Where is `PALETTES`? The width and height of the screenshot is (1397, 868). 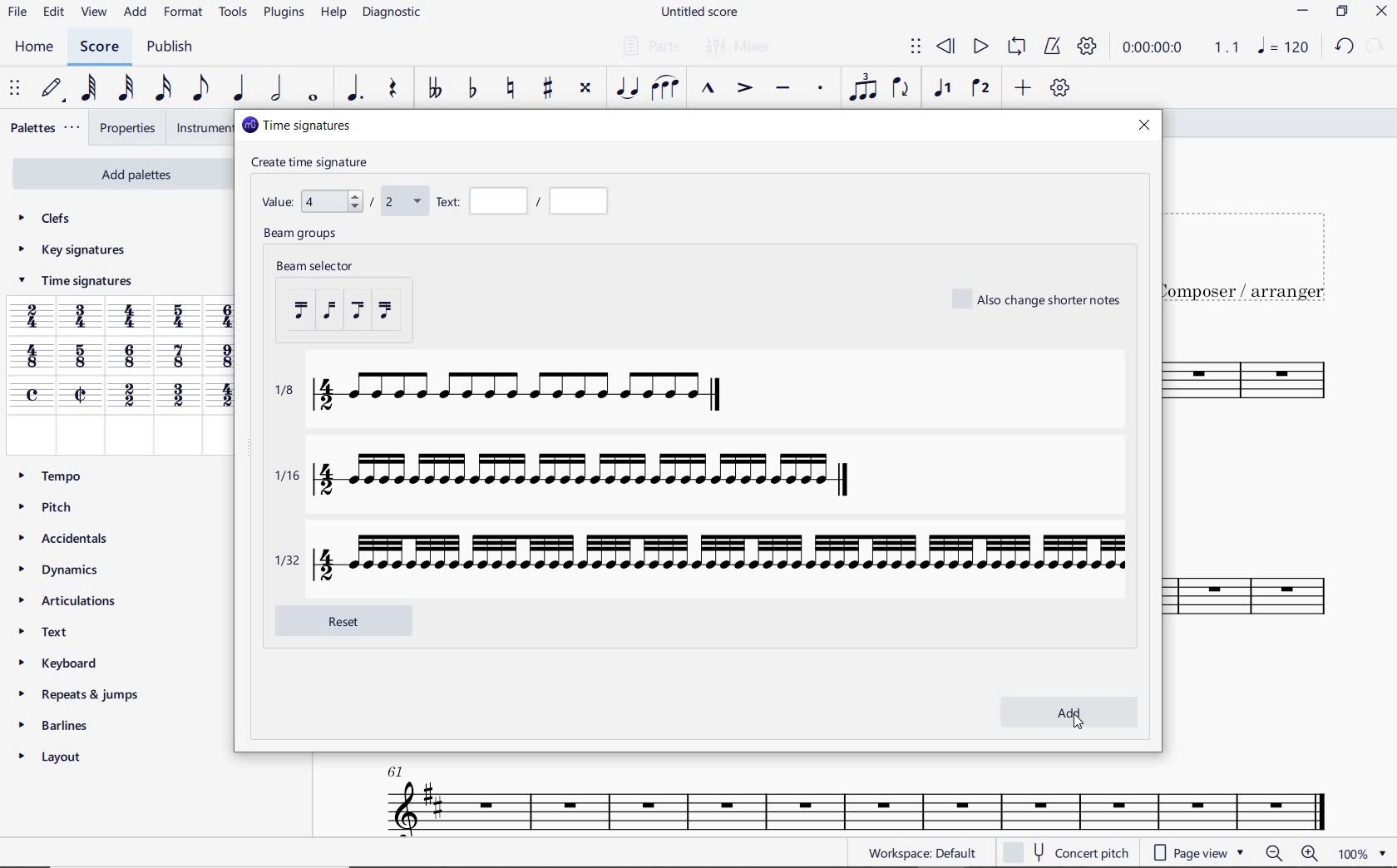 PALETTES is located at coordinates (46, 128).